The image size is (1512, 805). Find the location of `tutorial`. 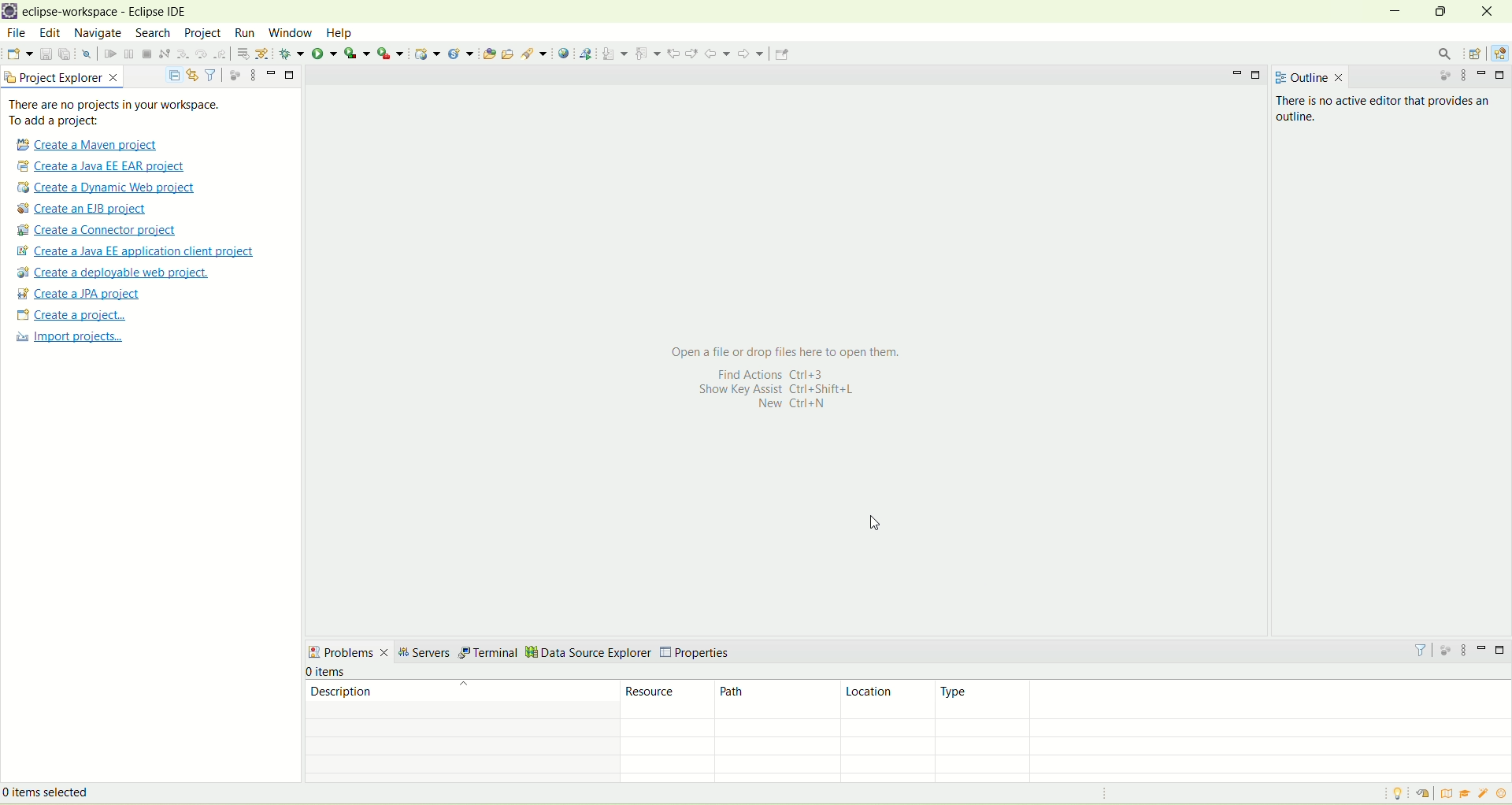

tutorial is located at coordinates (1466, 793).